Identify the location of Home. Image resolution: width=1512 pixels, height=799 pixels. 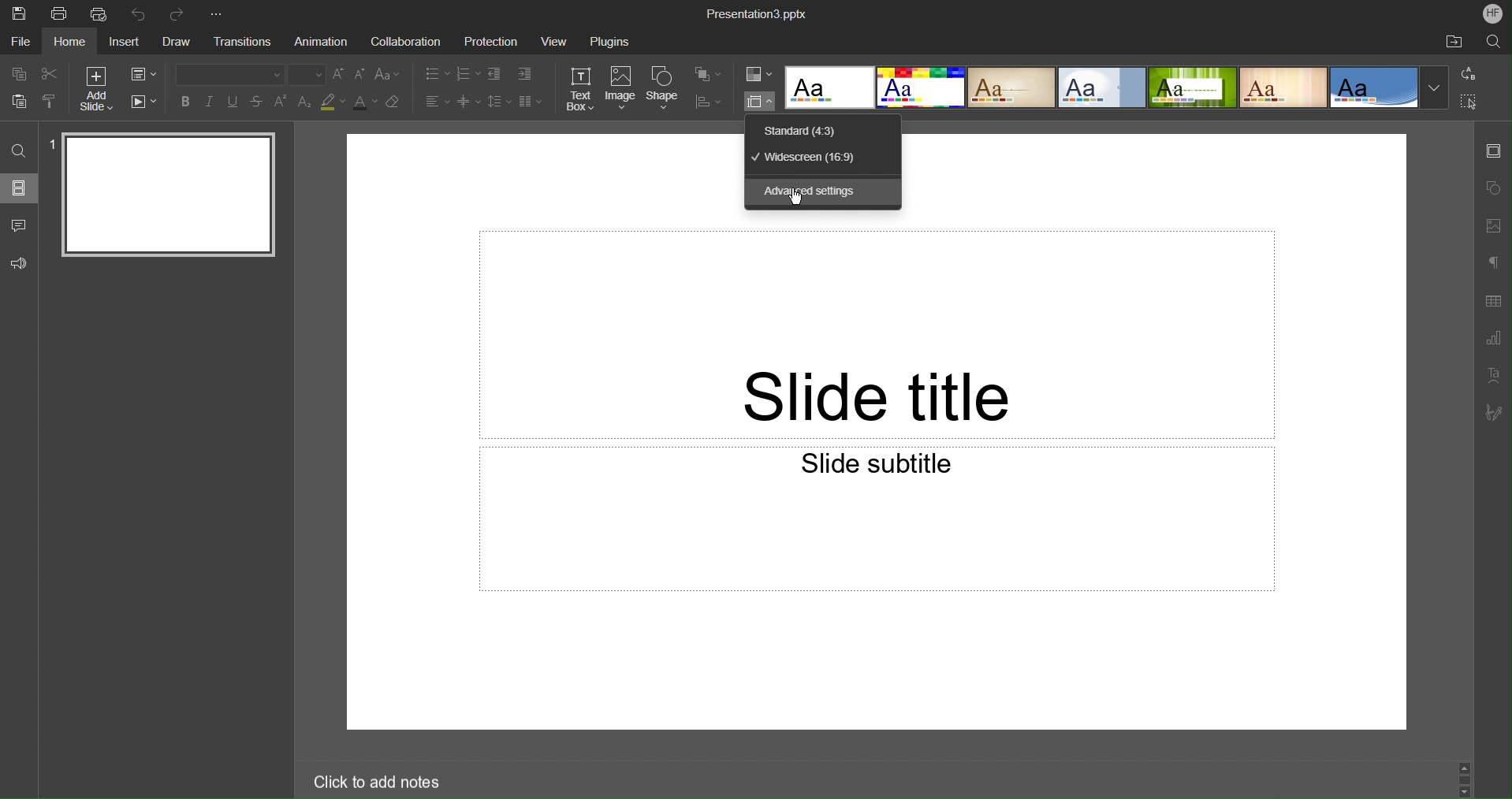
(71, 43).